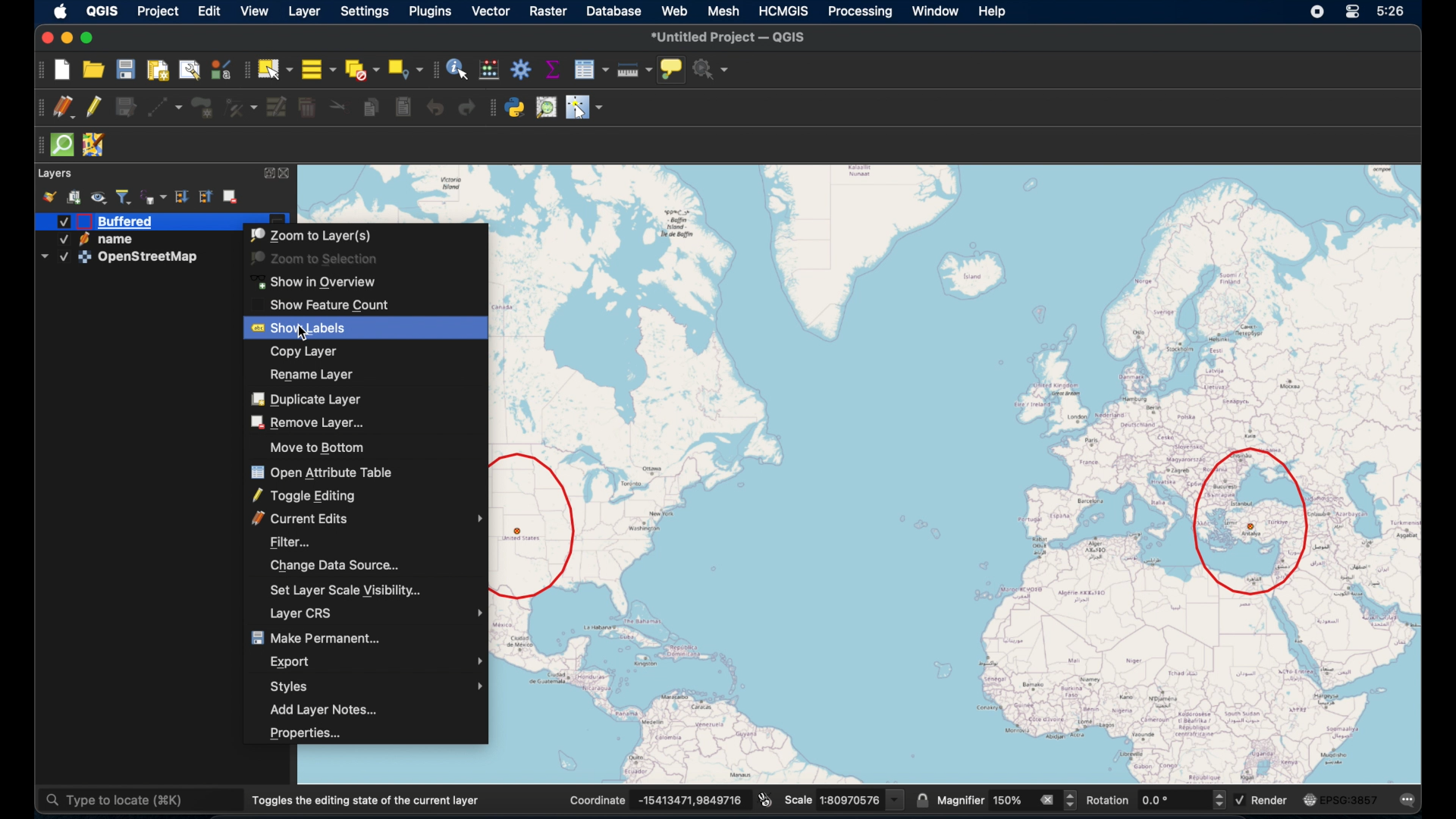  What do you see at coordinates (585, 108) in the screenshot?
I see `switches mouse to a configurable pointer` at bounding box center [585, 108].